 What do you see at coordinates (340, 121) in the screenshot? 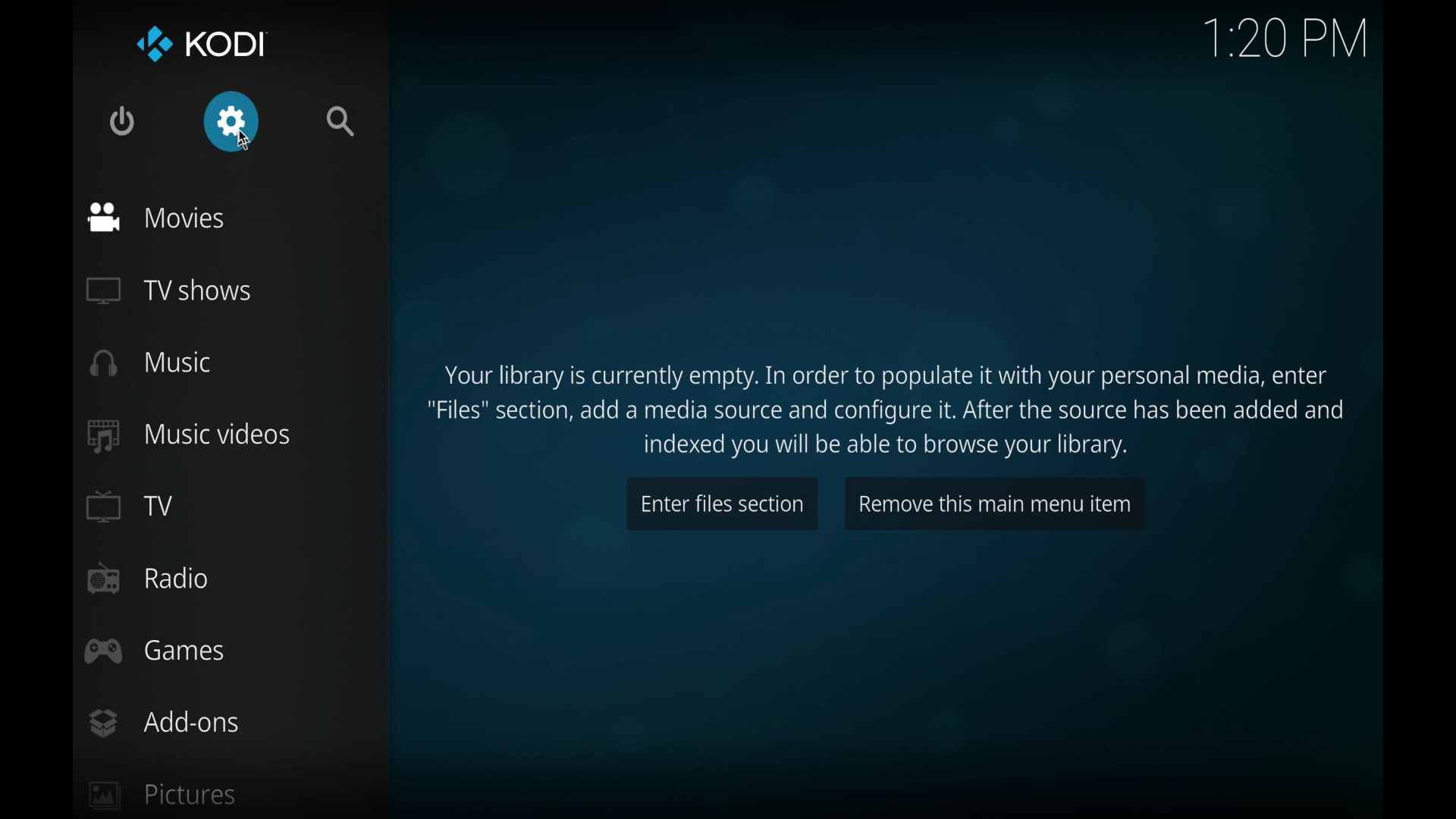
I see `search` at bounding box center [340, 121].